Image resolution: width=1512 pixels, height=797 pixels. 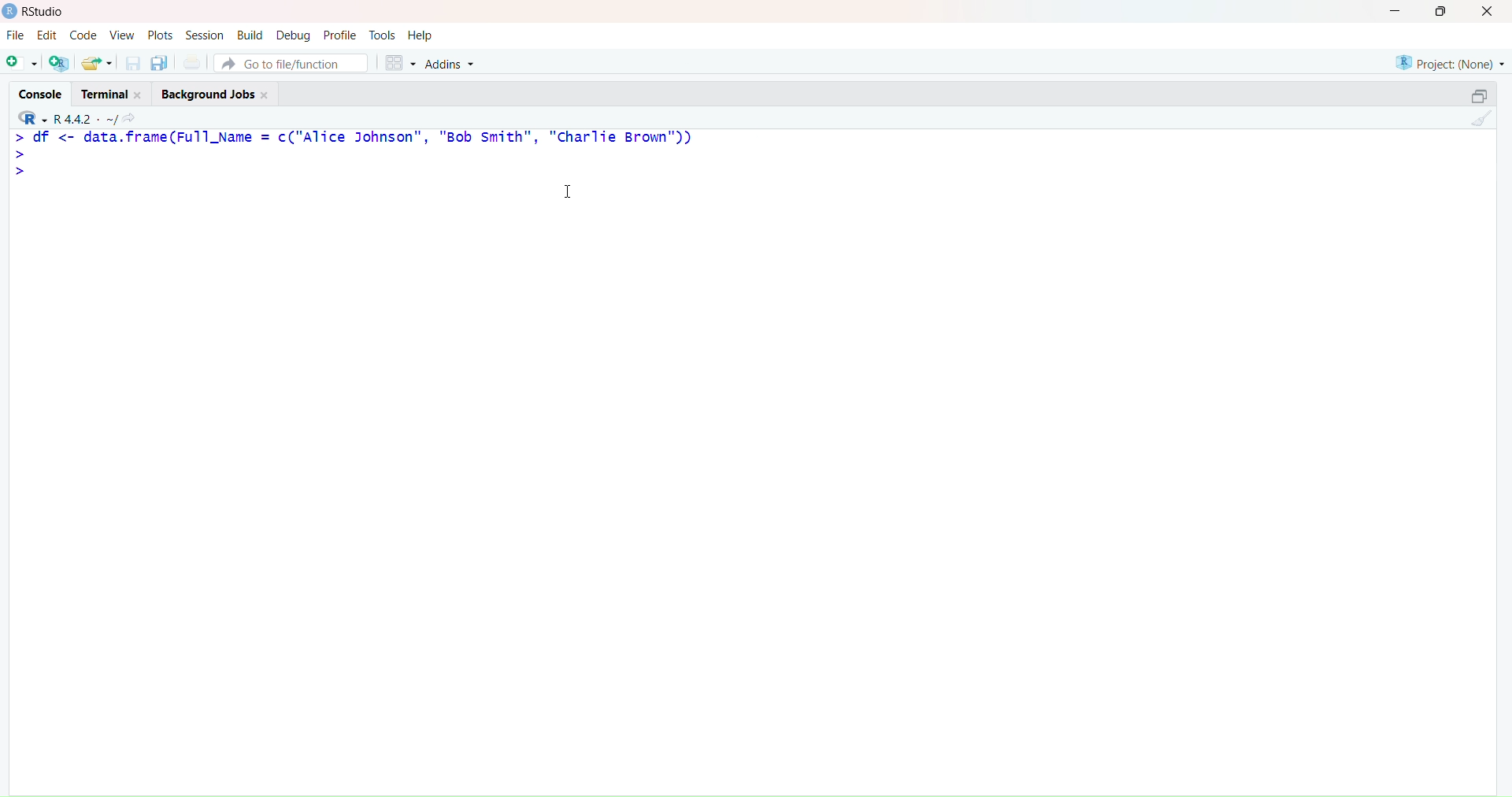 What do you see at coordinates (98, 63) in the screenshot?
I see `Open an existing file (Ctrl + O)` at bounding box center [98, 63].